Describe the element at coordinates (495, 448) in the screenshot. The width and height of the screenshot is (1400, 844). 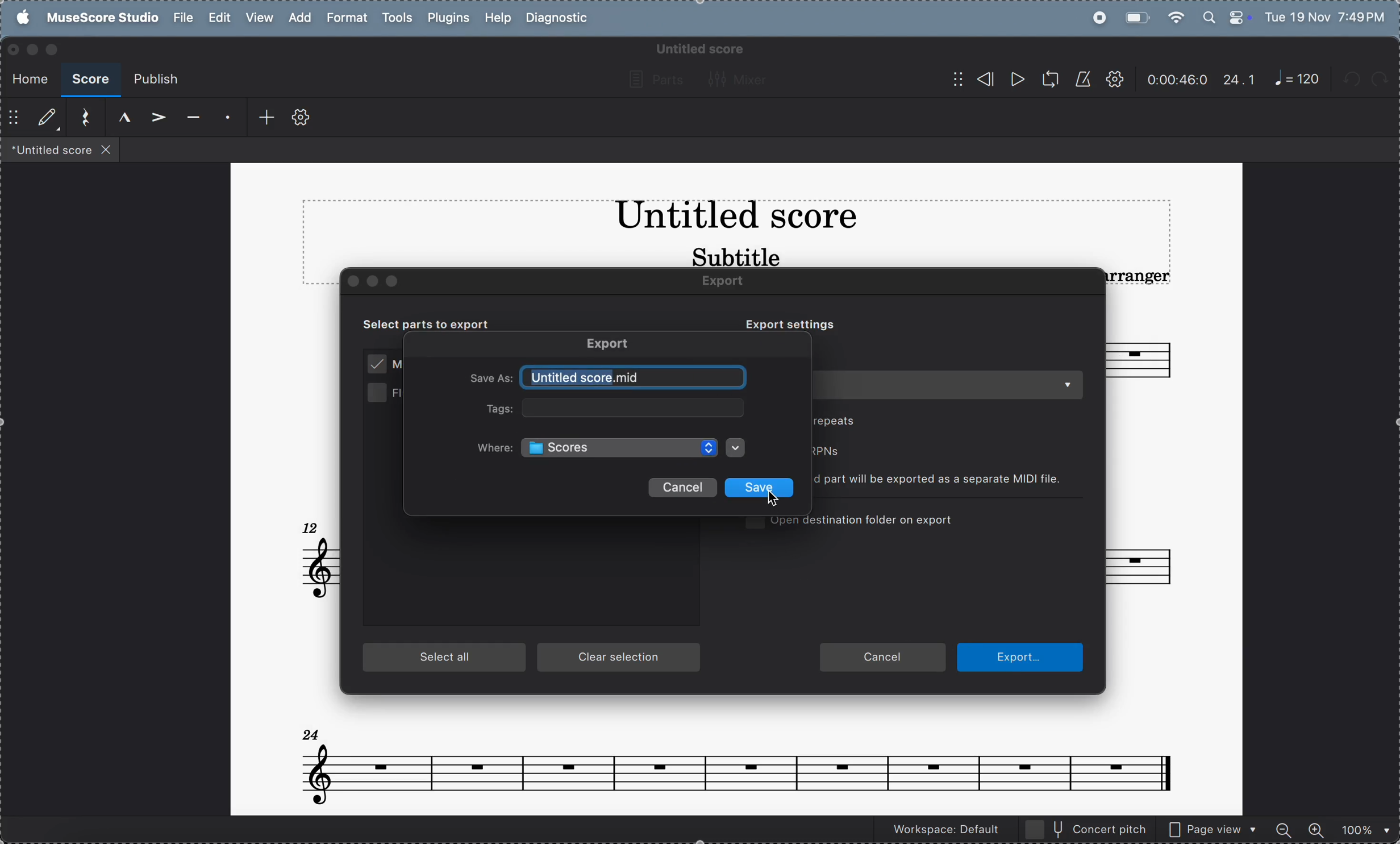
I see `where` at that location.